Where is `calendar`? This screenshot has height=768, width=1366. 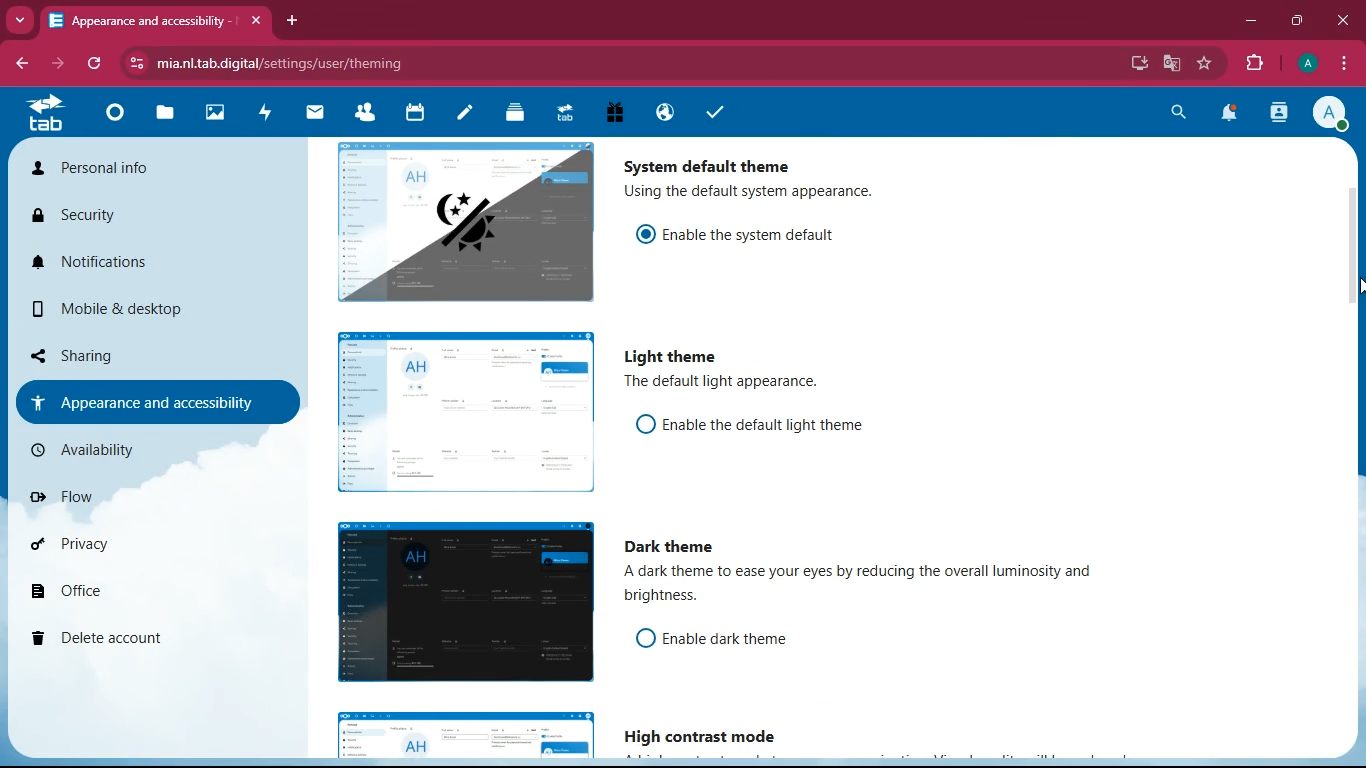 calendar is located at coordinates (415, 114).